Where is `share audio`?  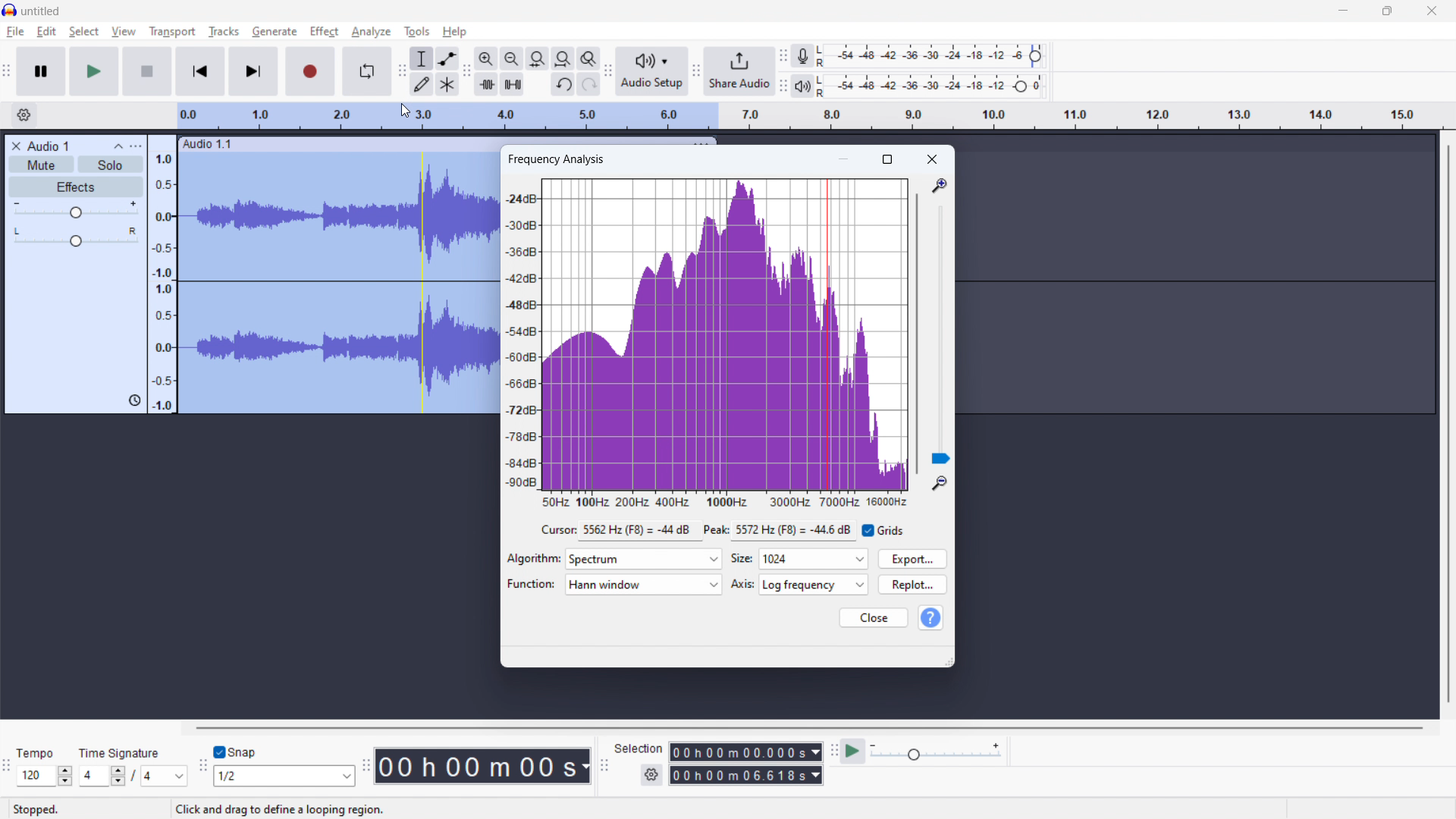 share audio is located at coordinates (740, 71).